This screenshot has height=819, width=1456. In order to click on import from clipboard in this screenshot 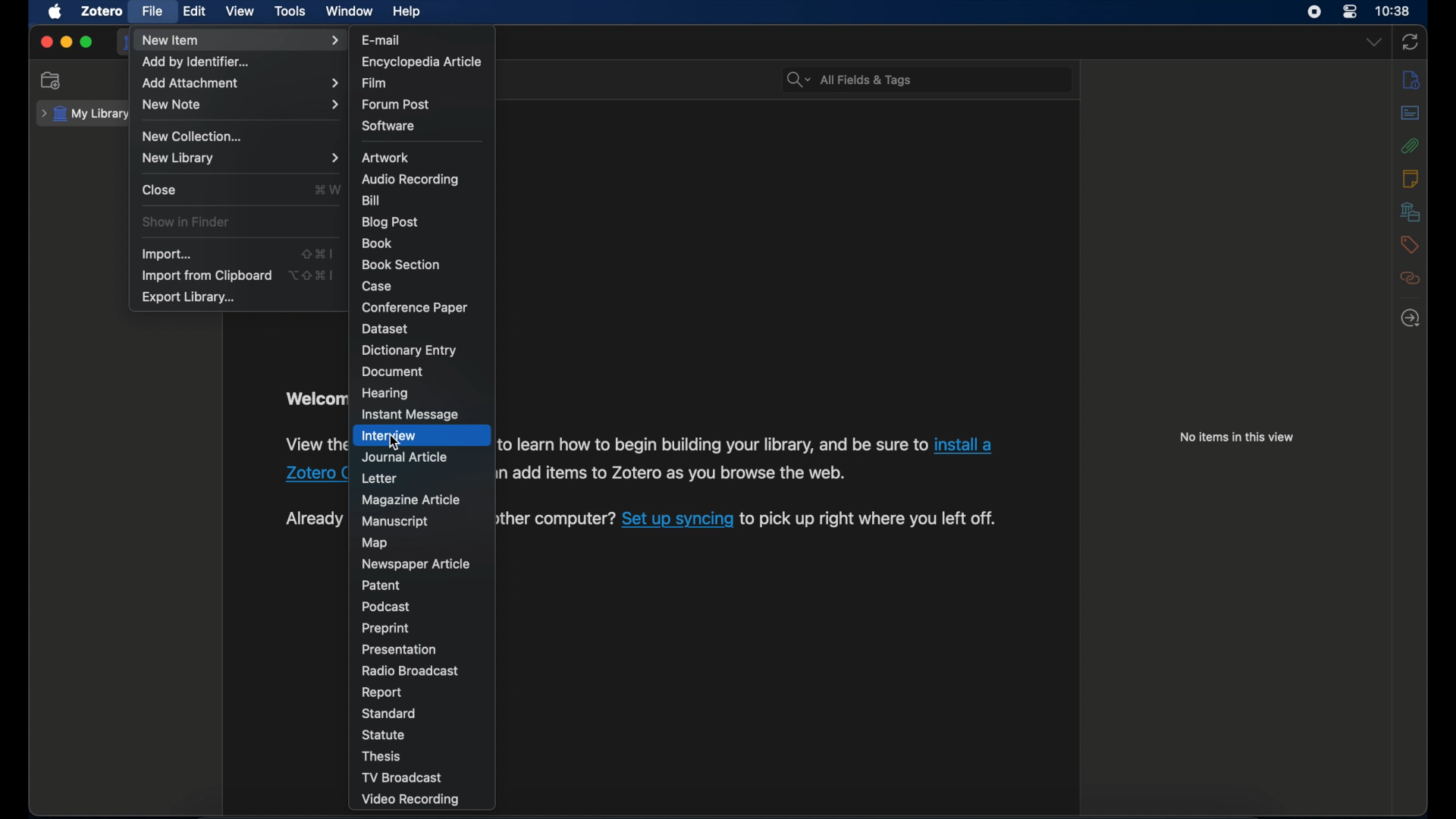, I will do `click(208, 276)`.